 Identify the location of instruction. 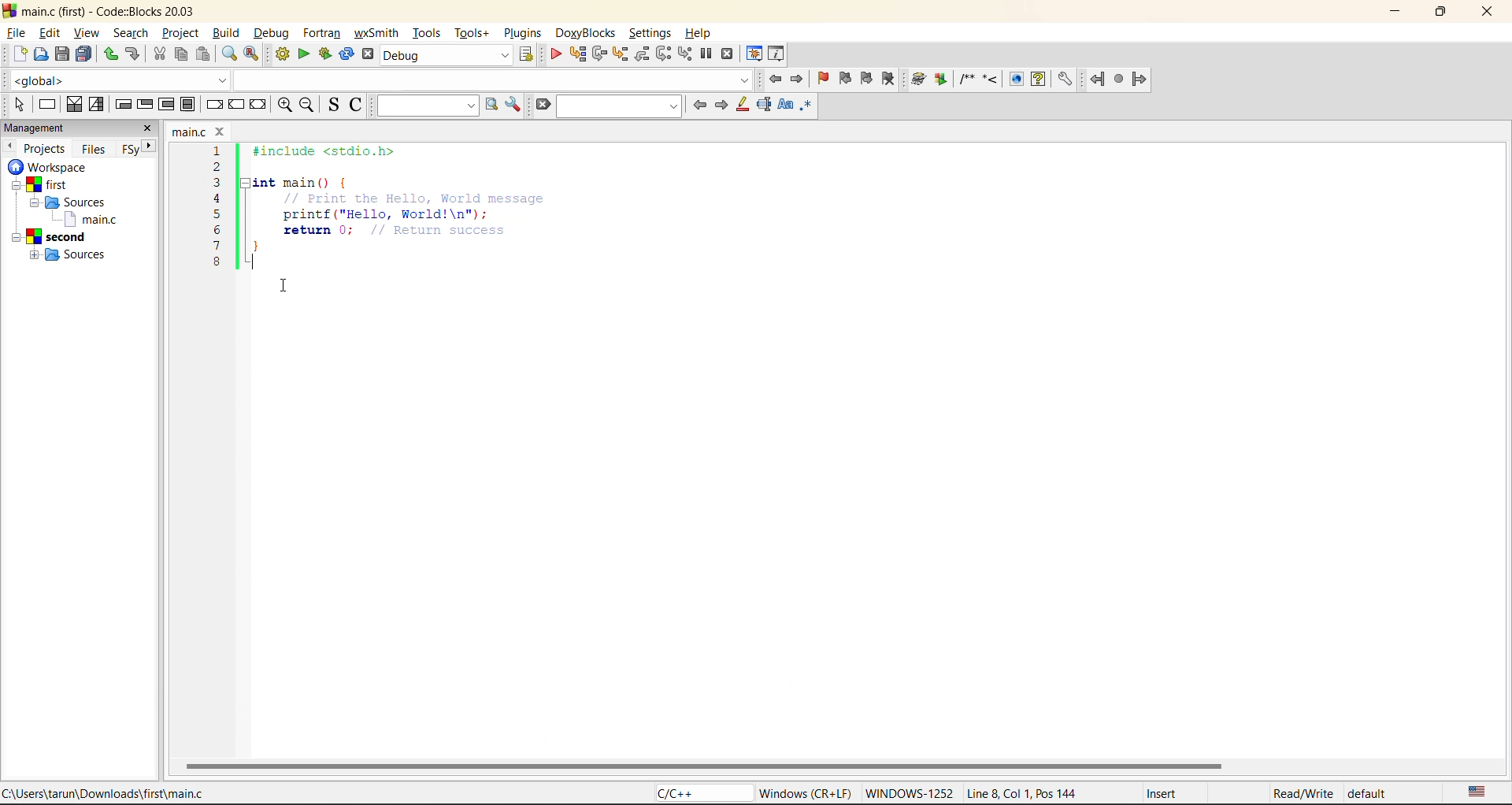
(49, 105).